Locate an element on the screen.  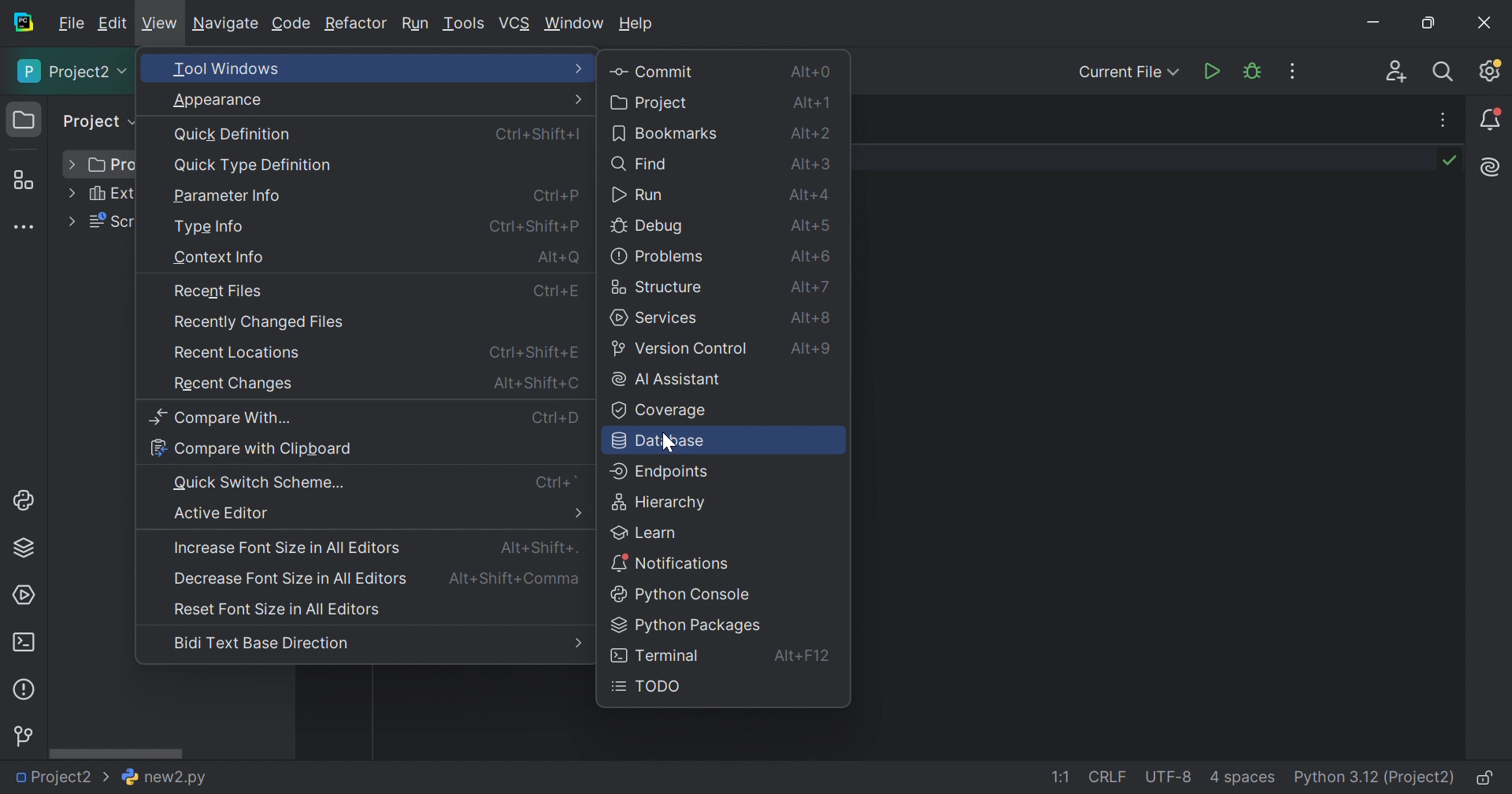
Debug is located at coordinates (647, 227).